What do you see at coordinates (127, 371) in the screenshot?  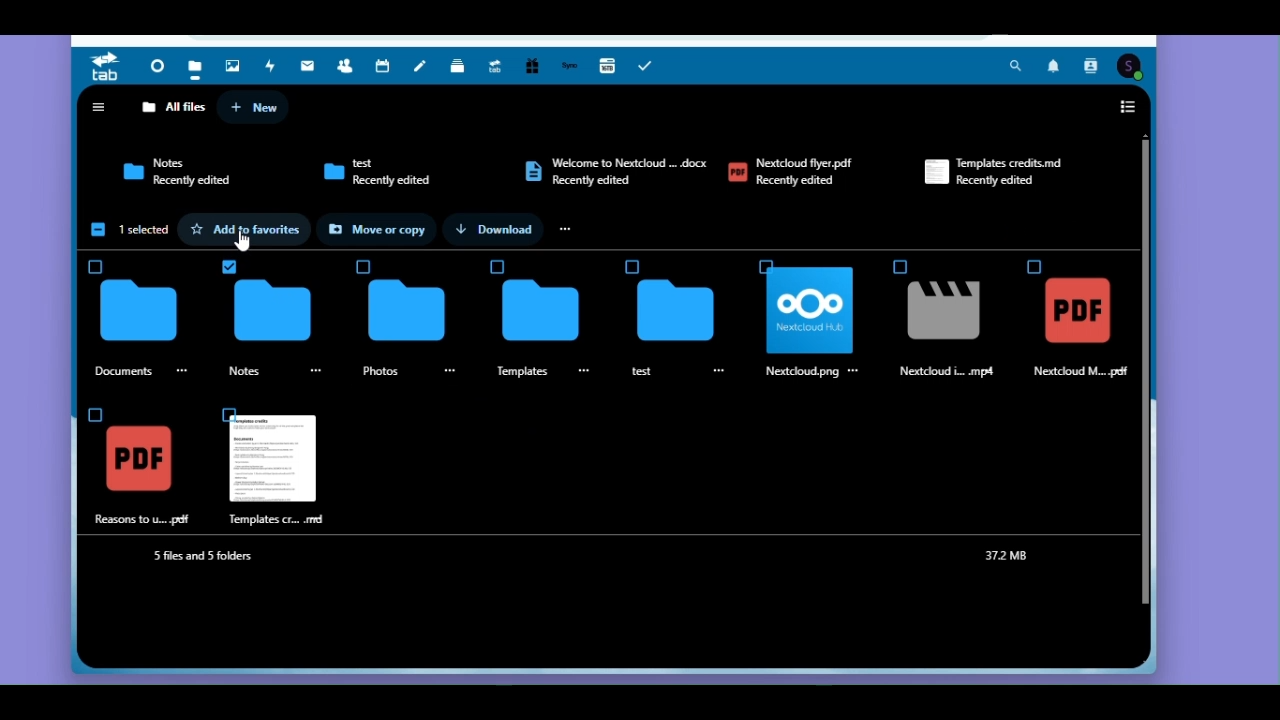 I see `Documents` at bounding box center [127, 371].